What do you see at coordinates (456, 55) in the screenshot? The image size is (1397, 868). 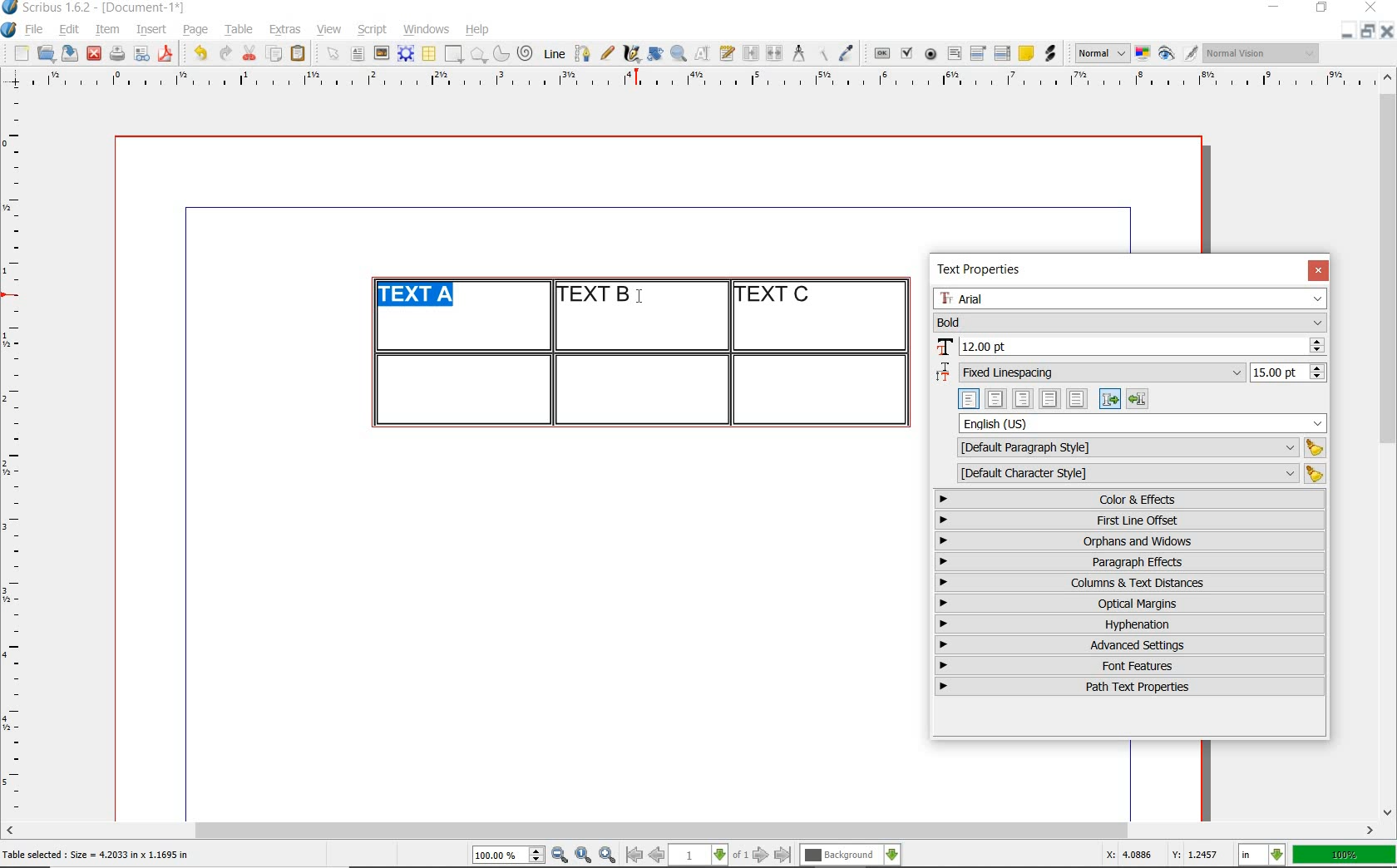 I see `shape` at bounding box center [456, 55].